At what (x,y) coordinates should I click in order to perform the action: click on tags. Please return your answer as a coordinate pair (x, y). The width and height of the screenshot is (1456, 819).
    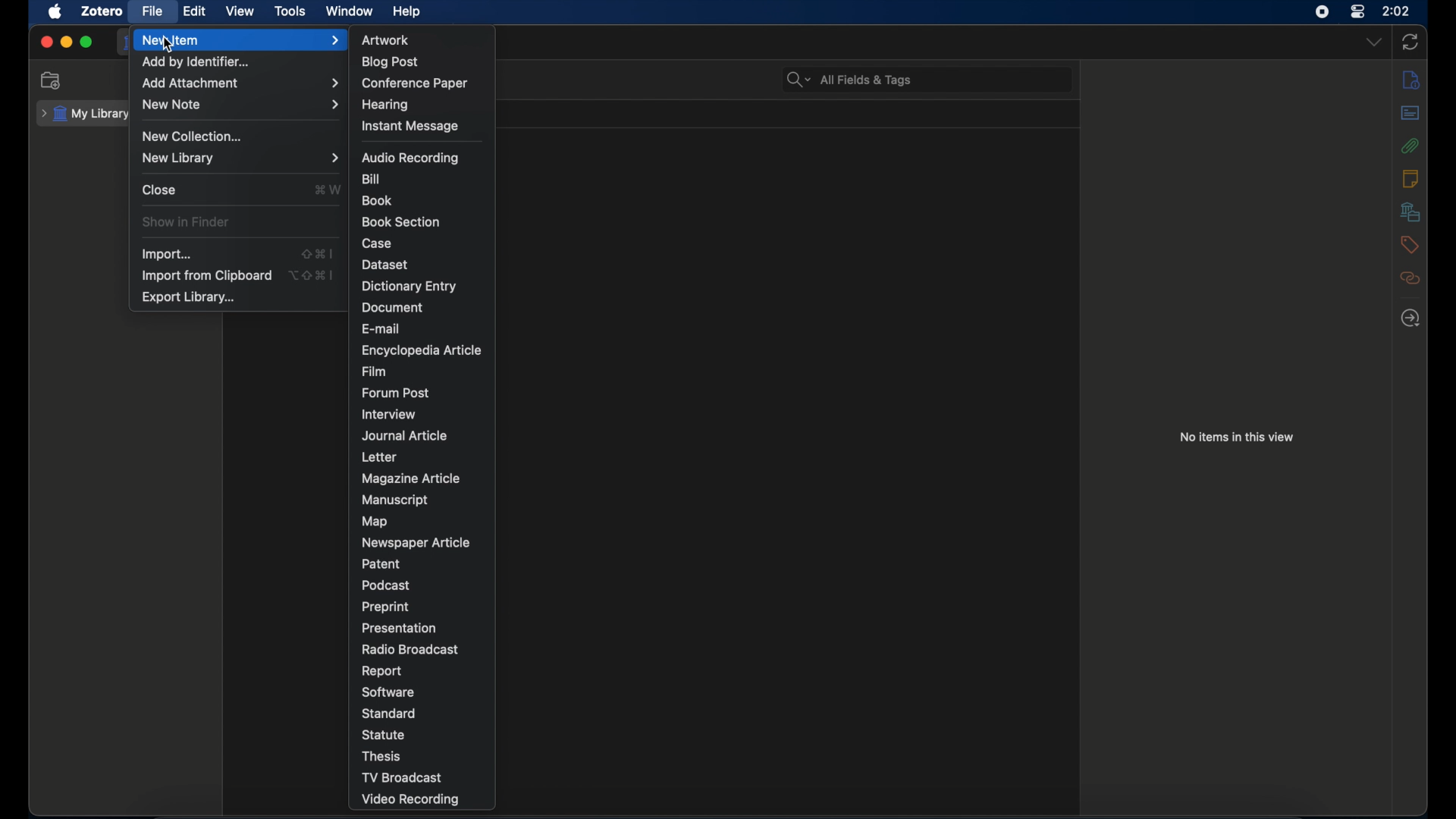
    Looking at the image, I should click on (1409, 245).